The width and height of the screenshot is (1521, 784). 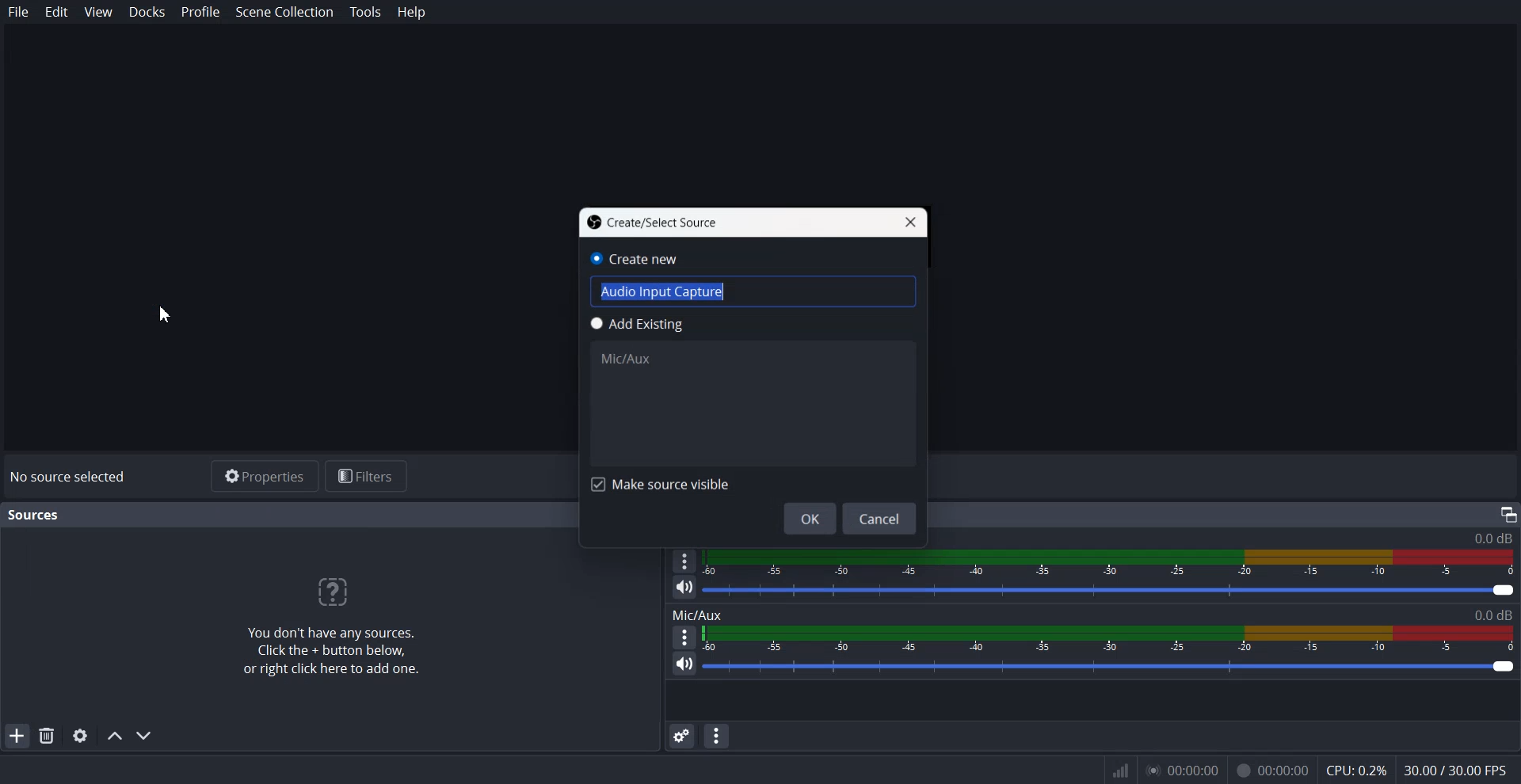 I want to click on Make Source visible, so click(x=654, y=485).